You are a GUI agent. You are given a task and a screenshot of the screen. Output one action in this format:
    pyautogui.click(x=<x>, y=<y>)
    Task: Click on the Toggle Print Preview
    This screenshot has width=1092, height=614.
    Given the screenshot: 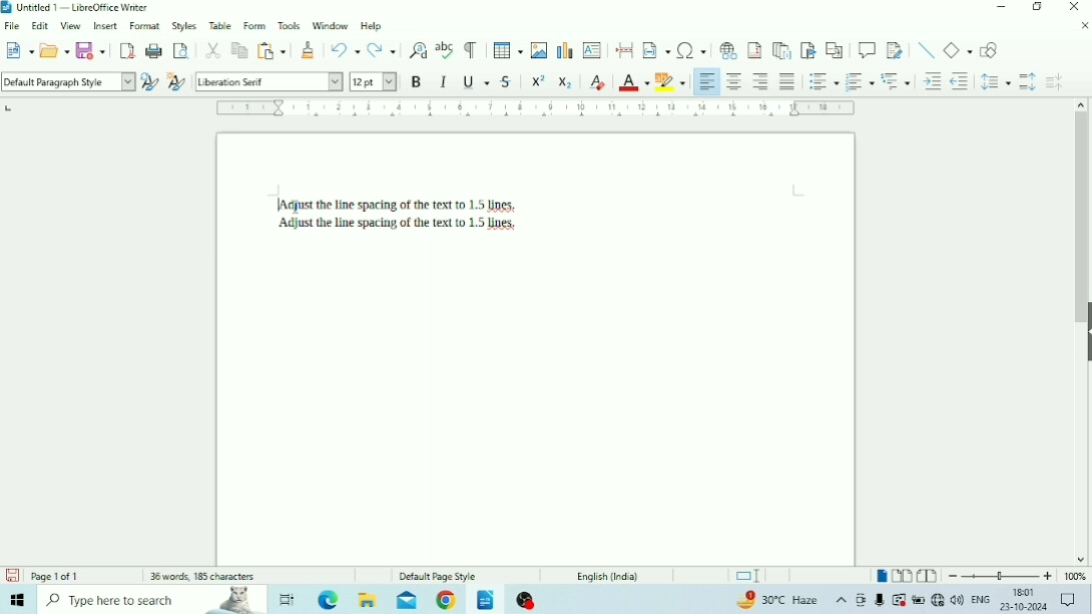 What is the action you would take?
    pyautogui.click(x=183, y=50)
    